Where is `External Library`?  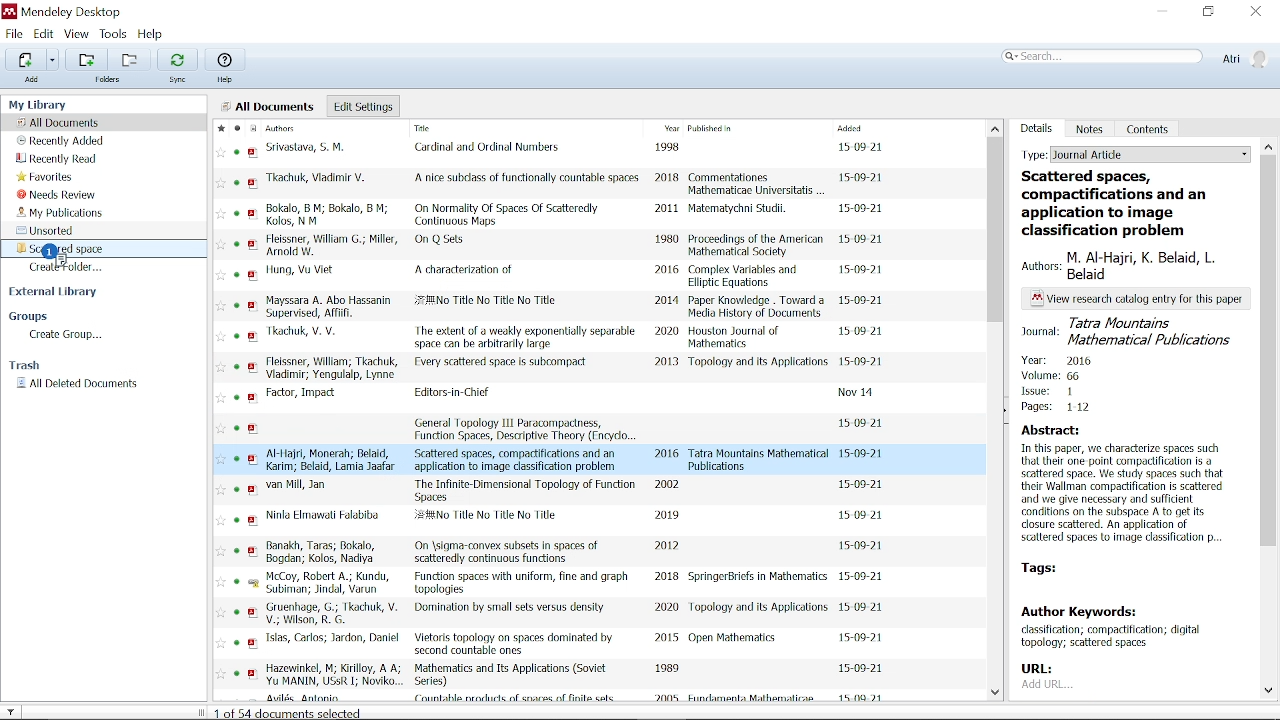
External Library is located at coordinates (56, 293).